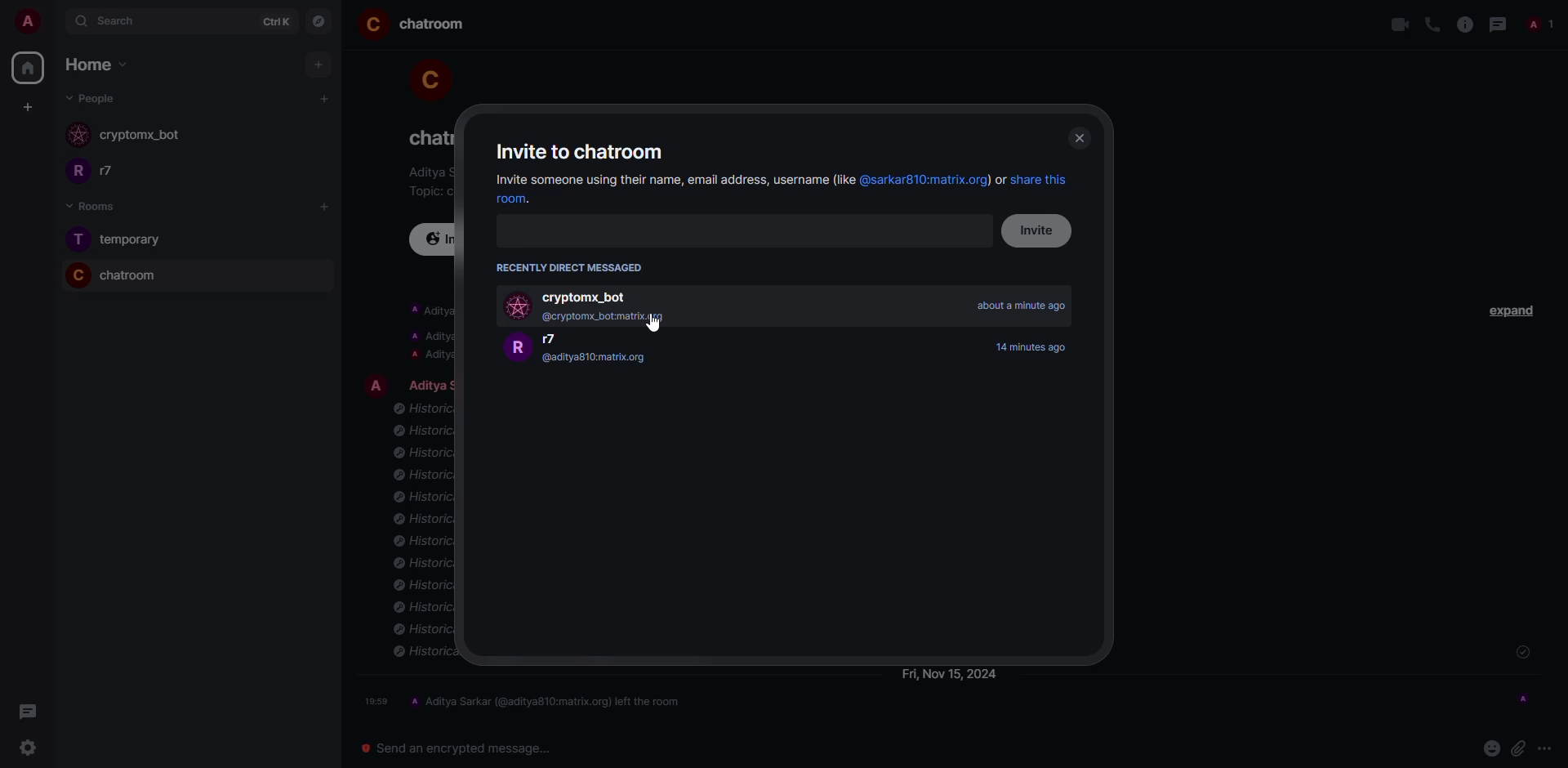 Image resolution: width=1568 pixels, height=768 pixels. Describe the element at coordinates (425, 137) in the screenshot. I see `room` at that location.